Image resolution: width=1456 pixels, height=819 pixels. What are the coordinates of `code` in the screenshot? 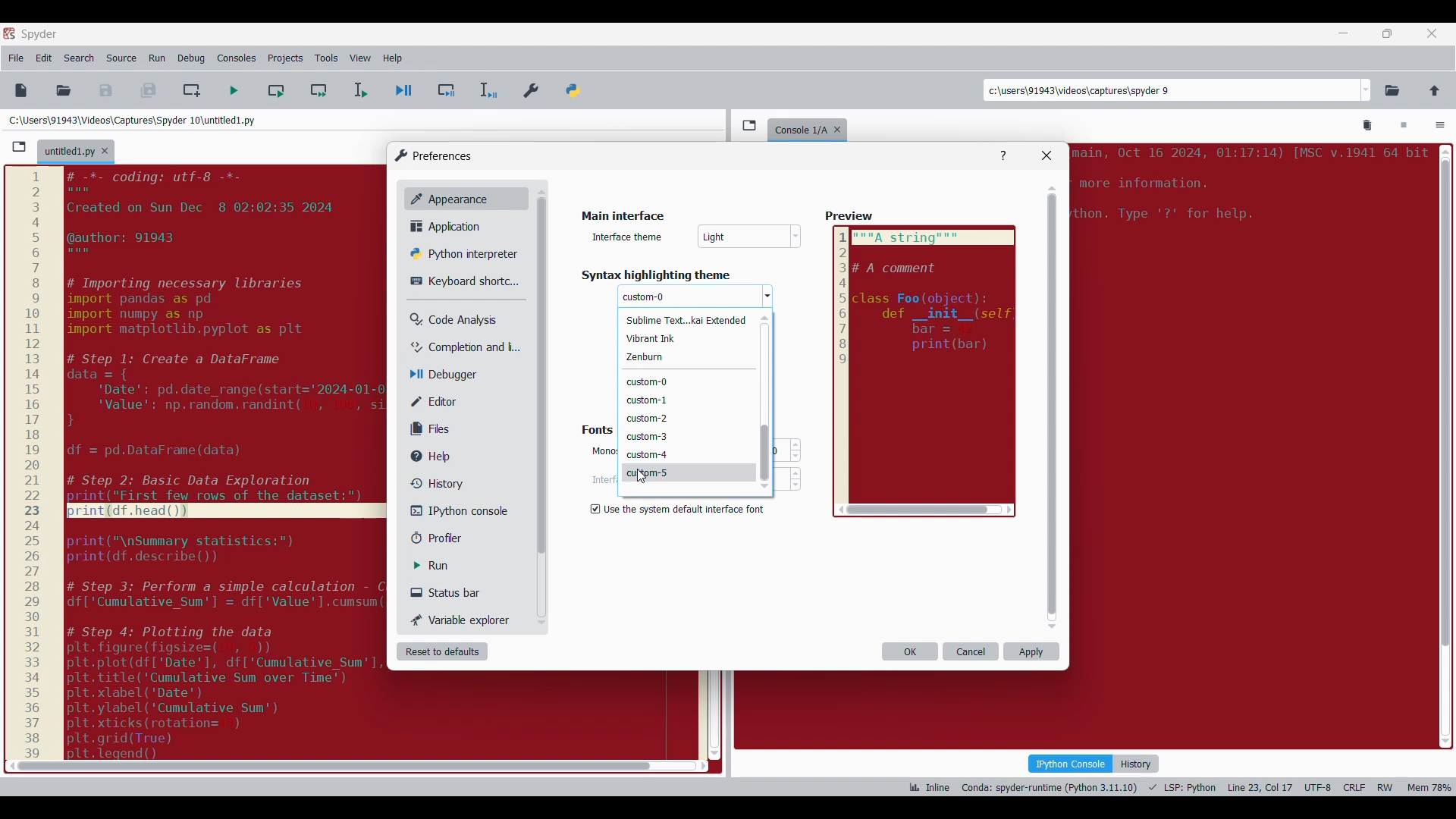 It's located at (227, 461).